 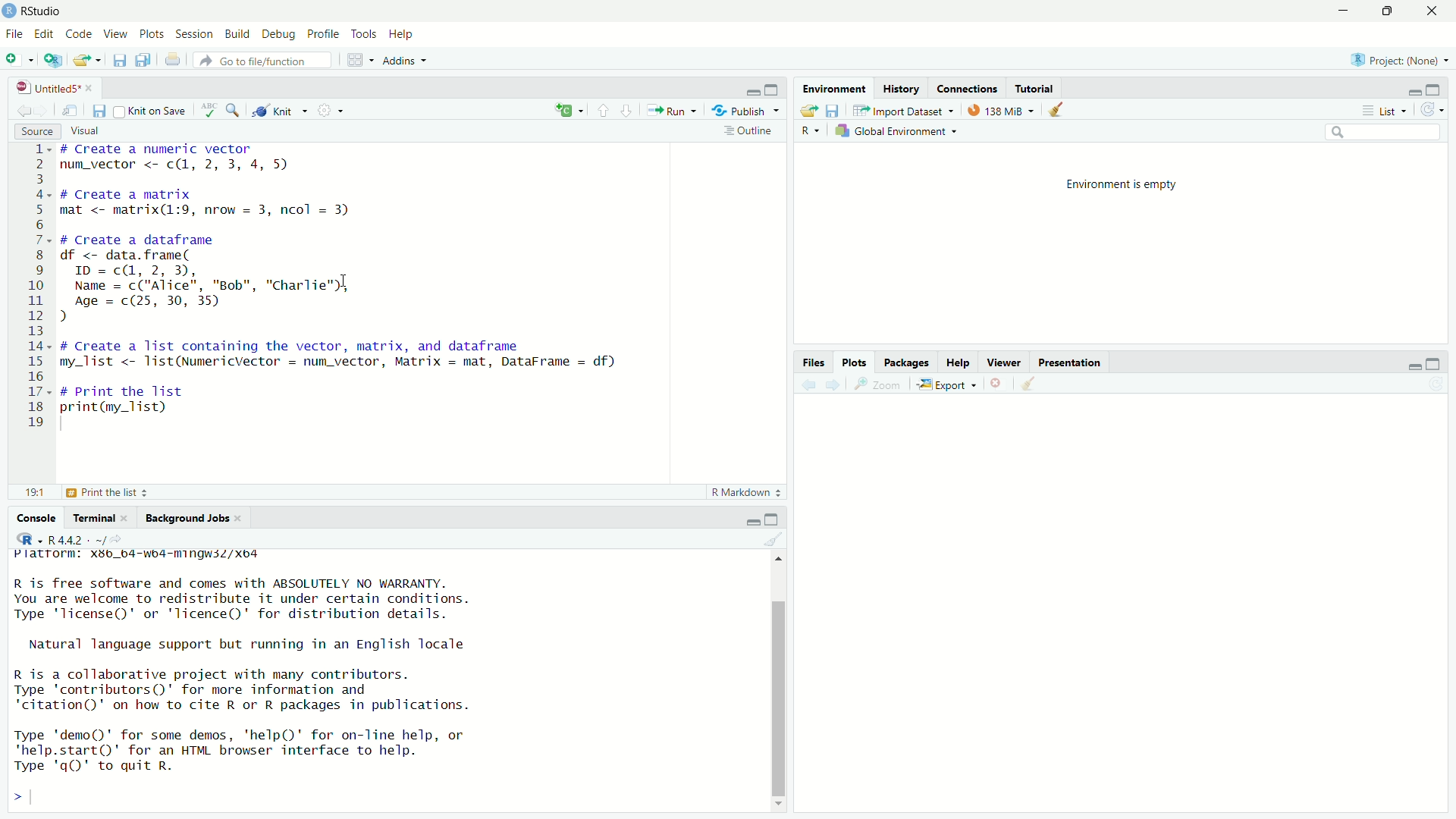 What do you see at coordinates (607, 110) in the screenshot?
I see `upward` at bounding box center [607, 110].